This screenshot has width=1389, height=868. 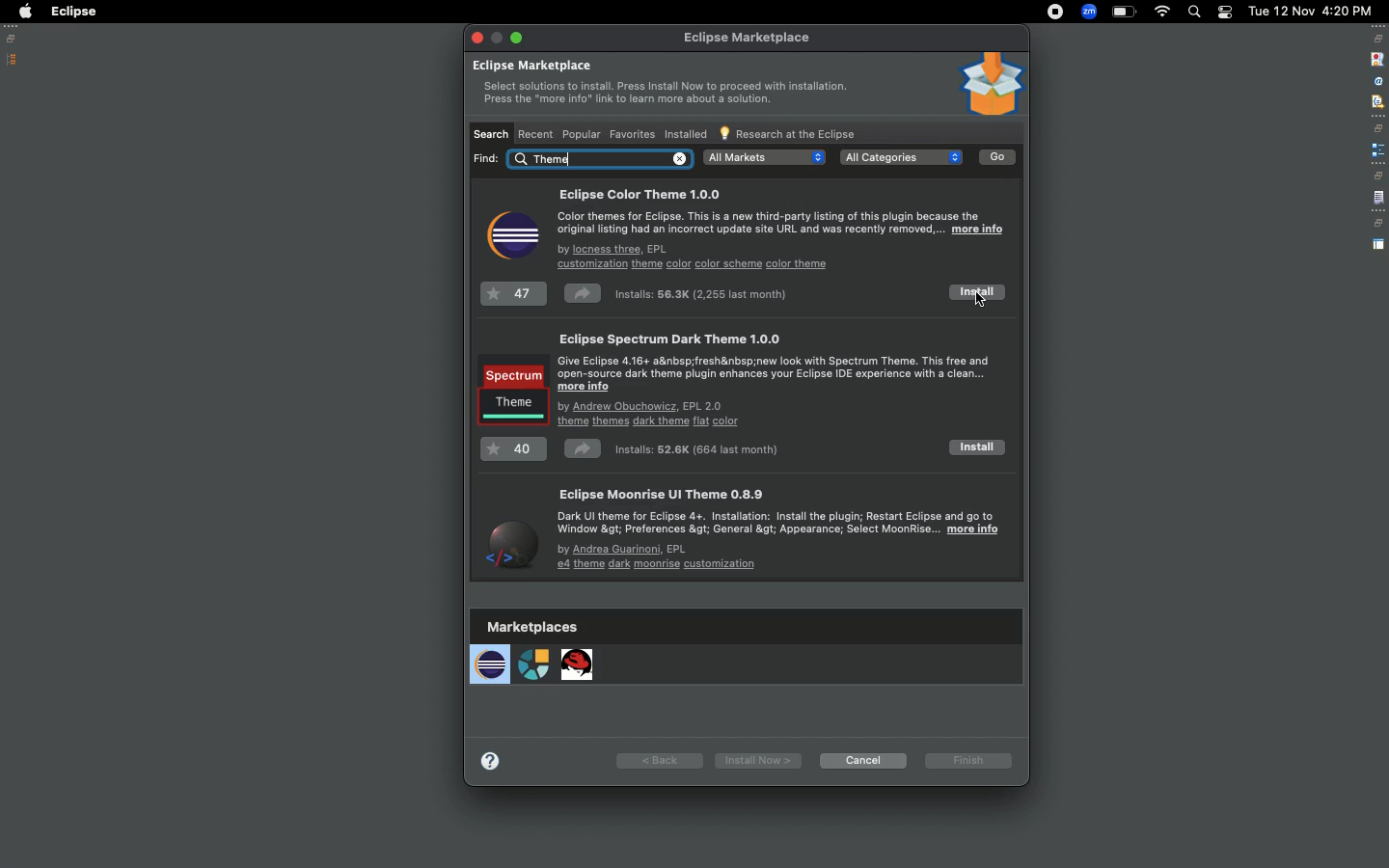 What do you see at coordinates (630, 450) in the screenshot?
I see `Installs` at bounding box center [630, 450].